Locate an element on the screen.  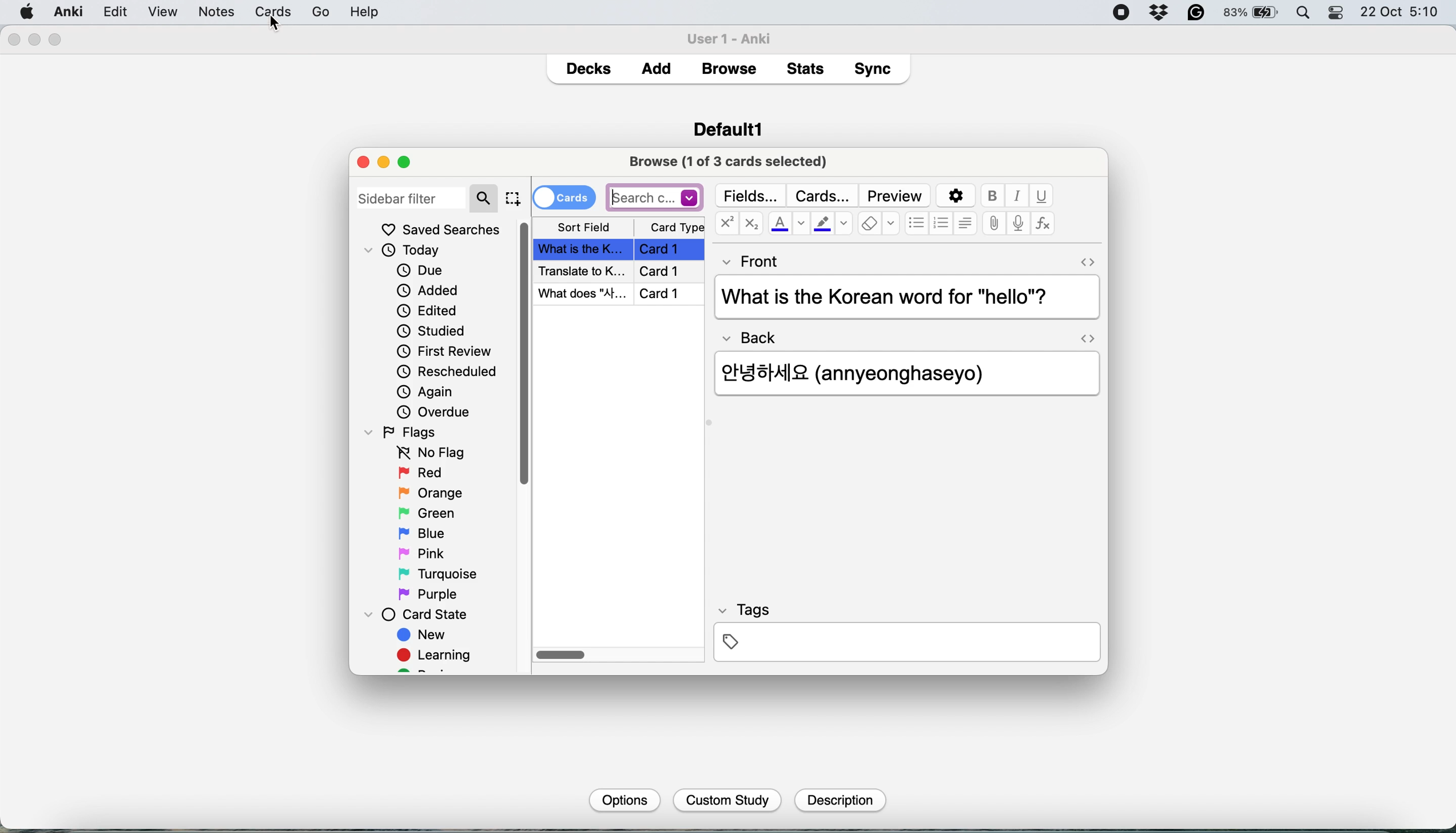
bold is located at coordinates (995, 196).